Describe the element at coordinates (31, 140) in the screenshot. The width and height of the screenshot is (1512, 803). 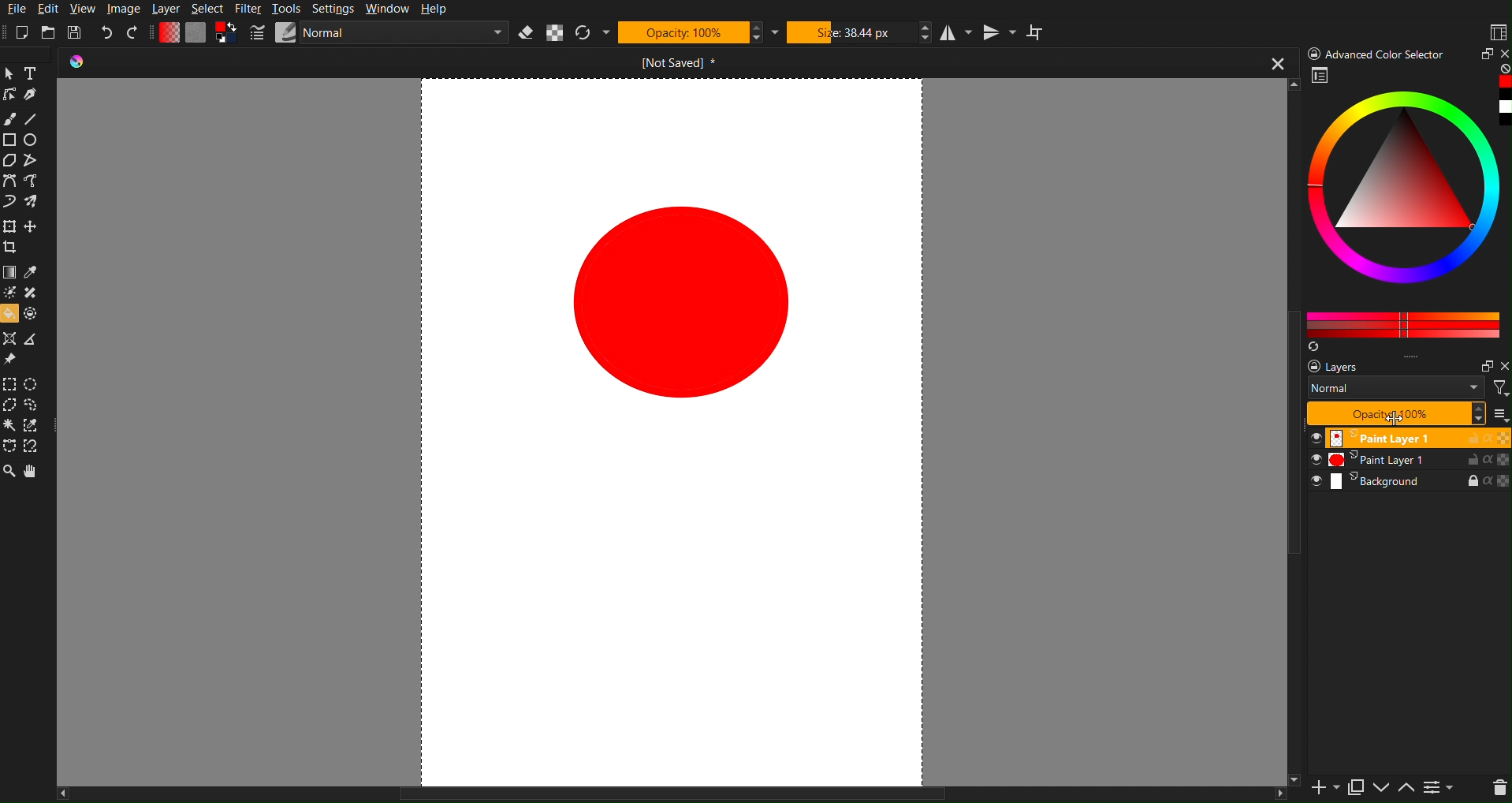
I see `Circle` at that location.